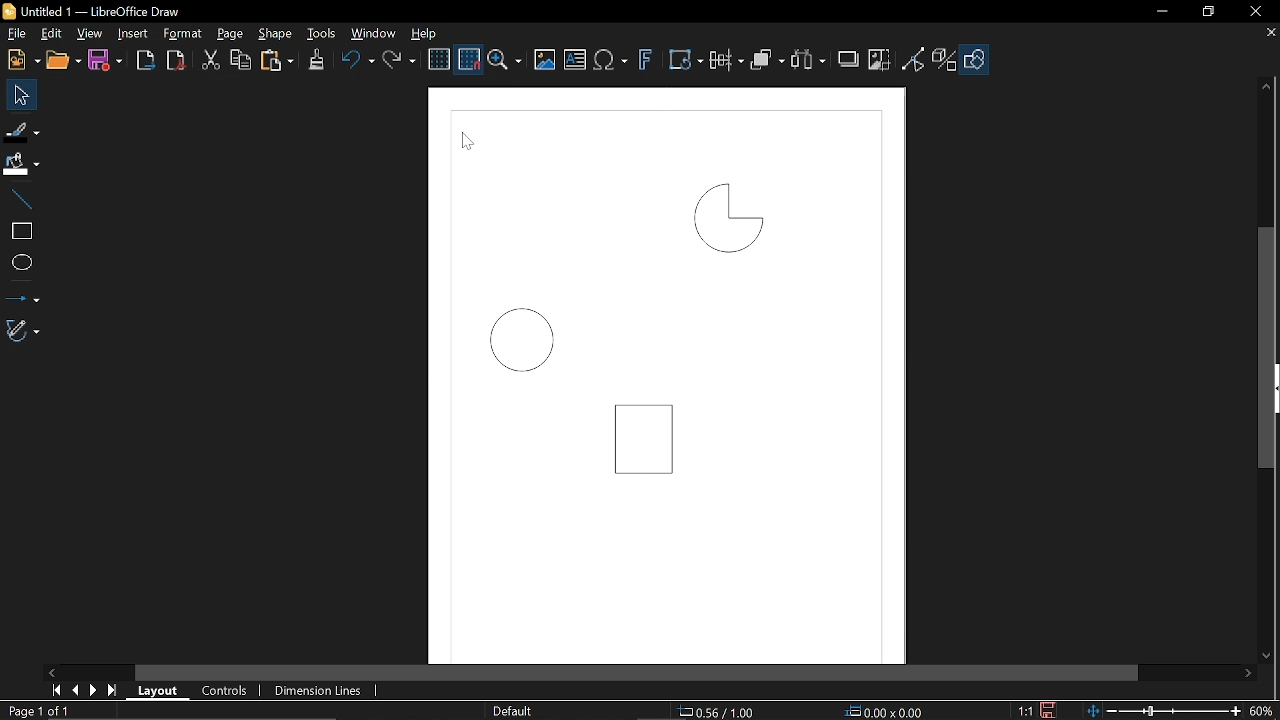  Describe the element at coordinates (210, 60) in the screenshot. I see `Cut ` at that location.